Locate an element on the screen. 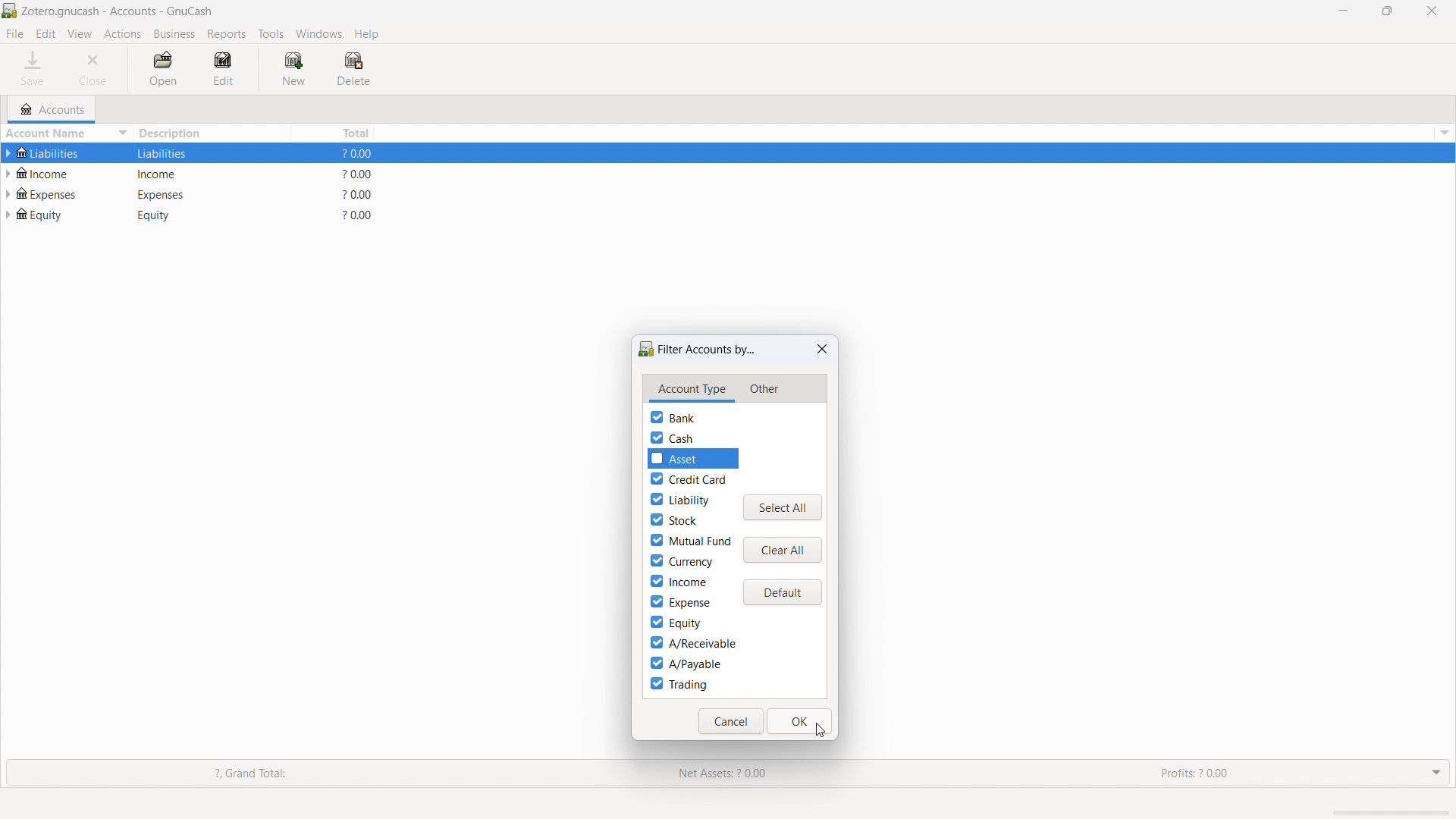 The image size is (1456, 819). grand total, net assets and profits is located at coordinates (728, 773).